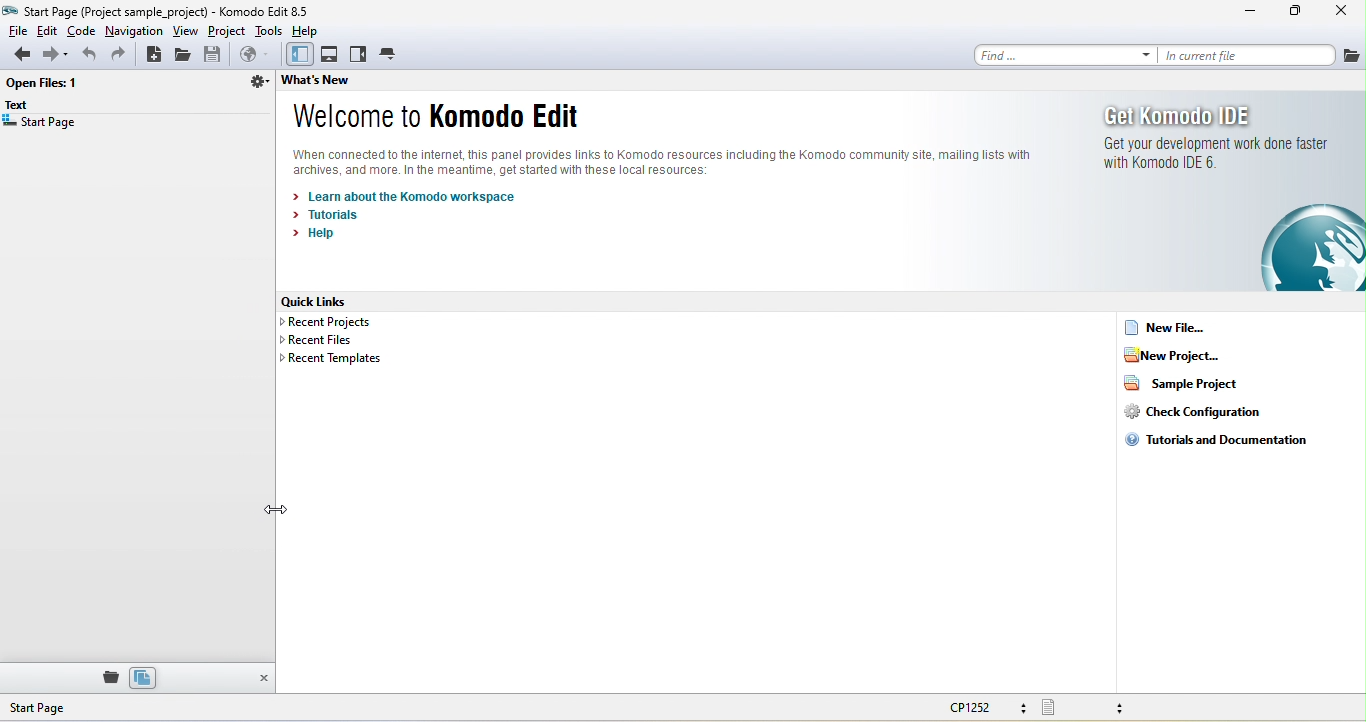 This screenshot has width=1366, height=722. I want to click on help, so click(310, 30).